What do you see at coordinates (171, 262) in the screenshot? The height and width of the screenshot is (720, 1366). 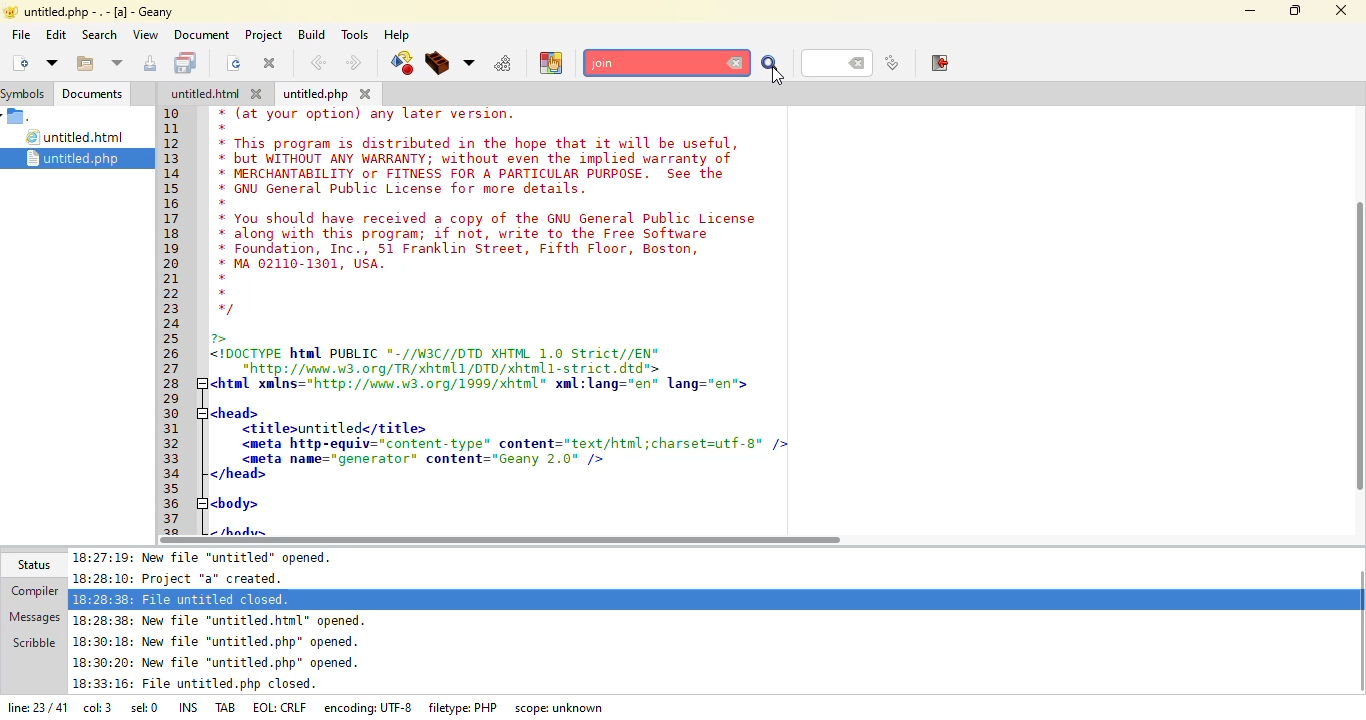 I see `20` at bounding box center [171, 262].